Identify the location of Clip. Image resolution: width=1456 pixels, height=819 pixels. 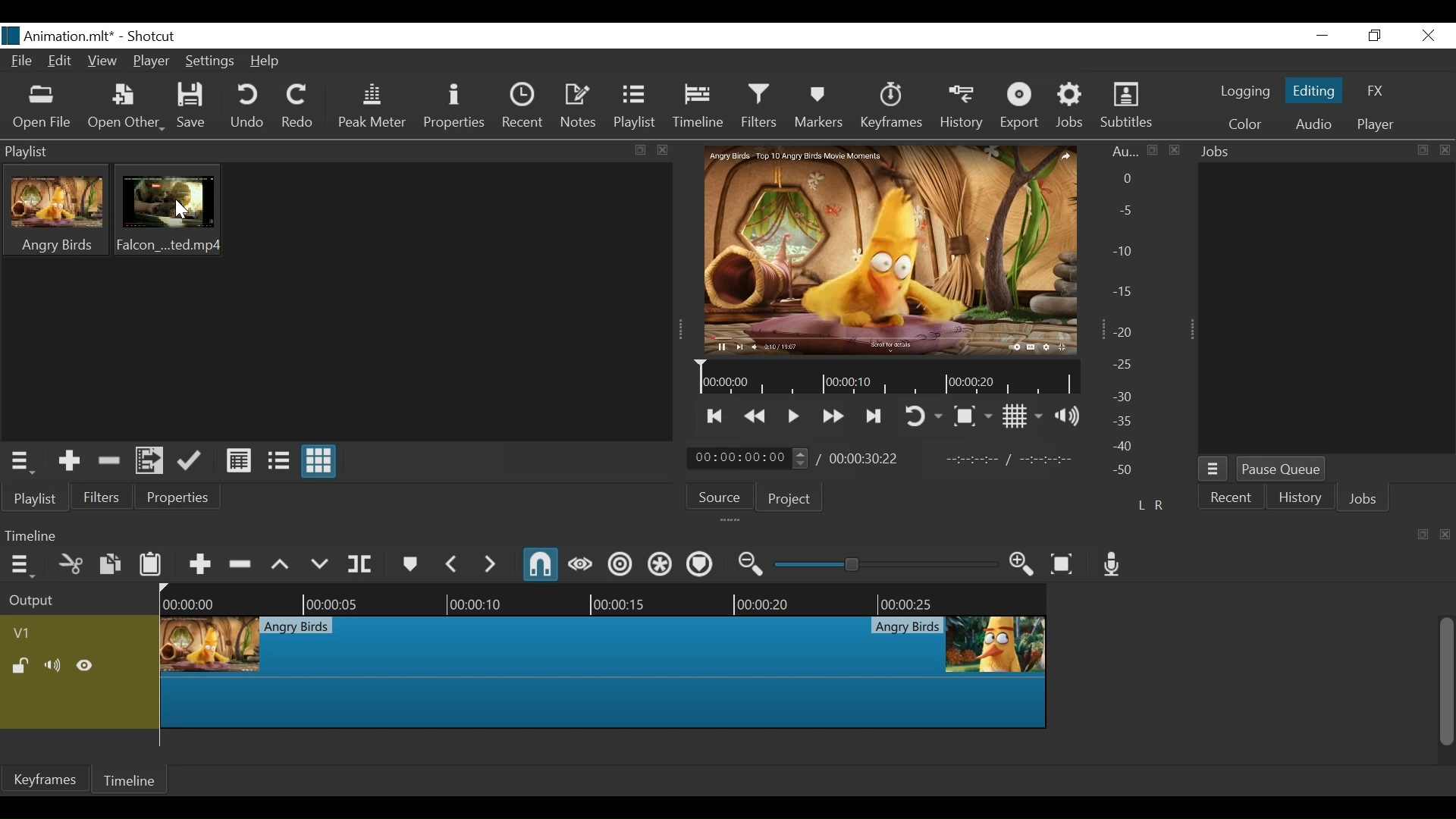
(603, 672).